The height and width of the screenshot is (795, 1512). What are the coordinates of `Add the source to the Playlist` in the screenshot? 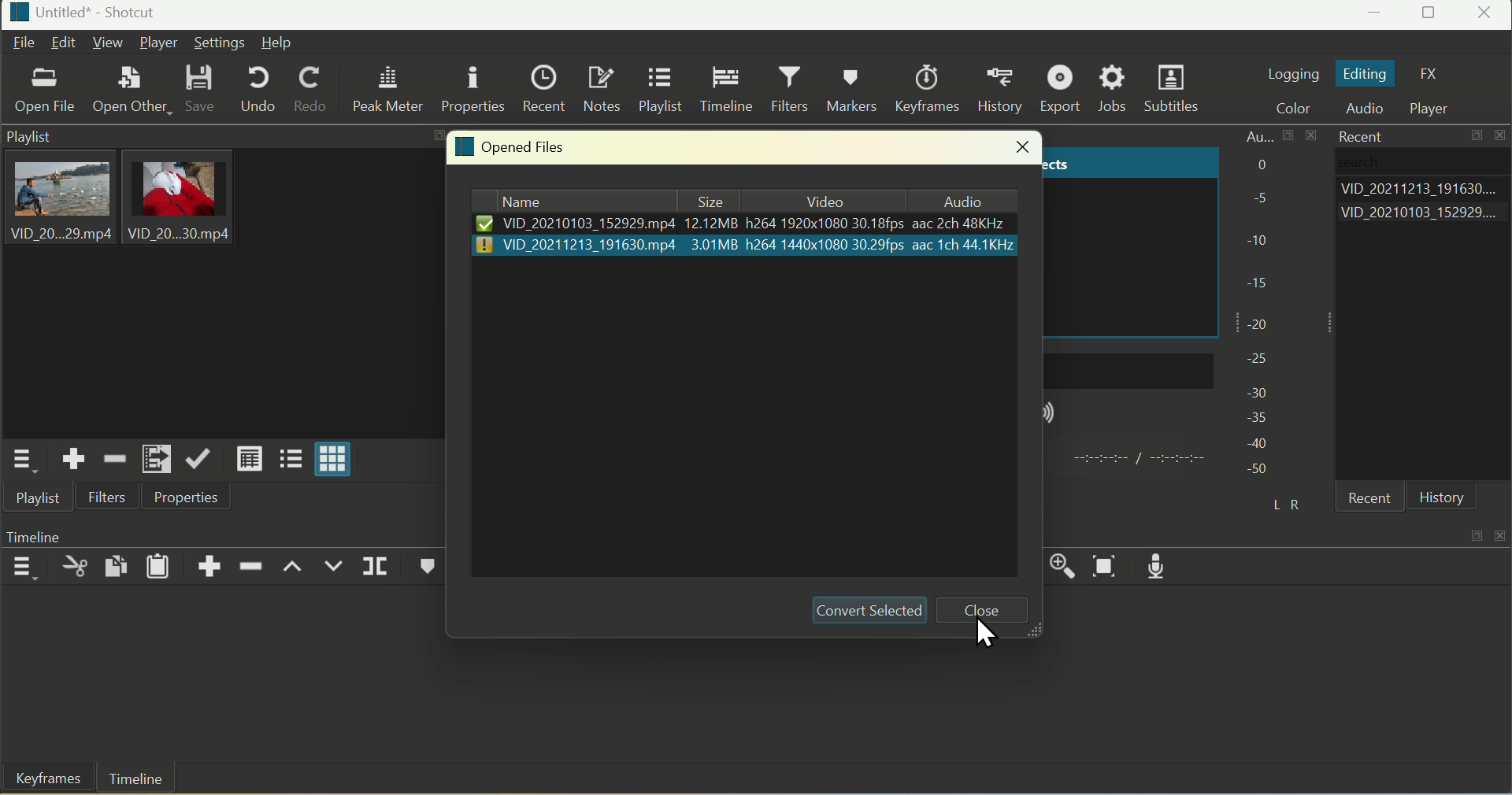 It's located at (74, 459).